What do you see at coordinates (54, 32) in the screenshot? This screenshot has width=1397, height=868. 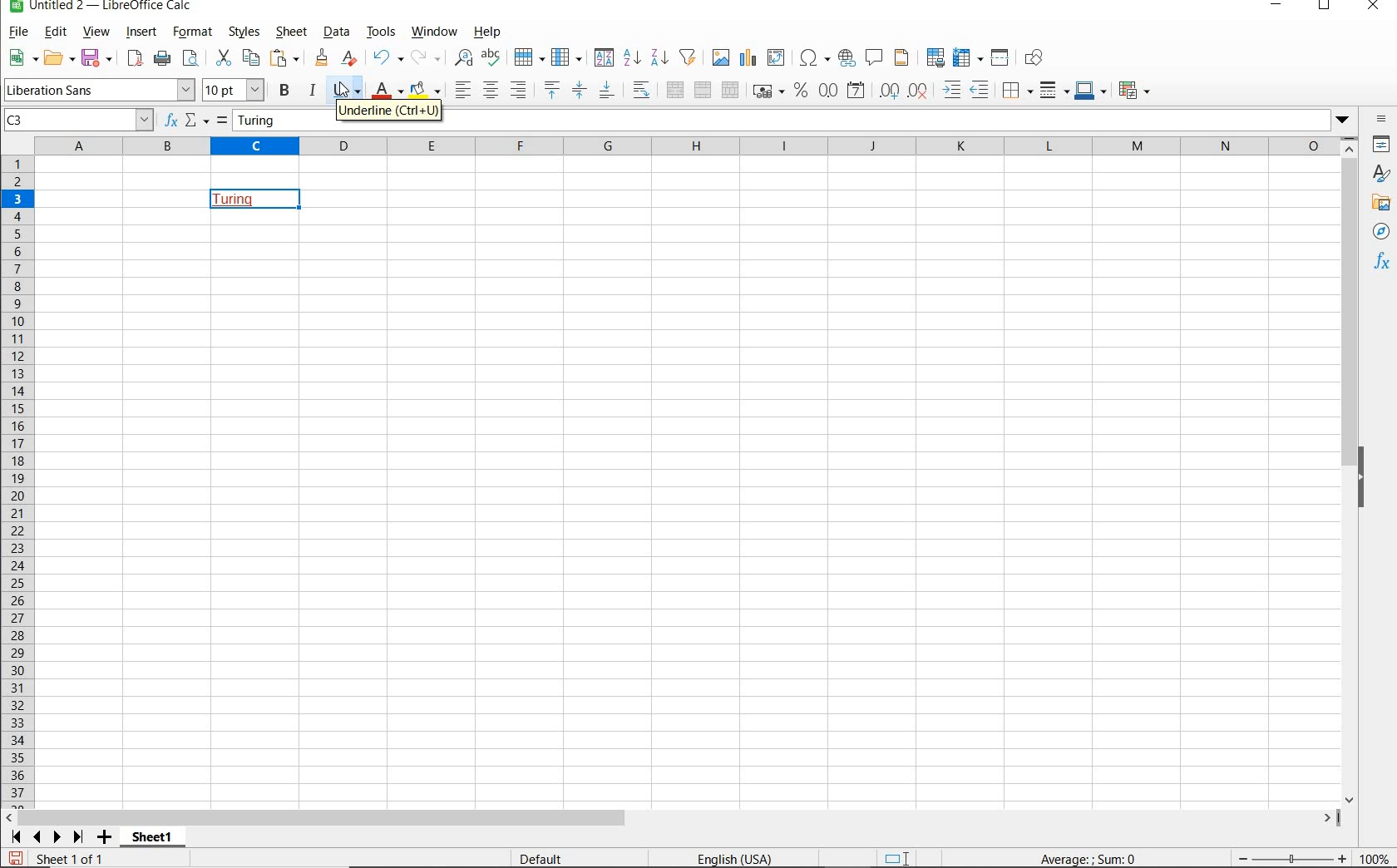 I see `EDIT` at bounding box center [54, 32].